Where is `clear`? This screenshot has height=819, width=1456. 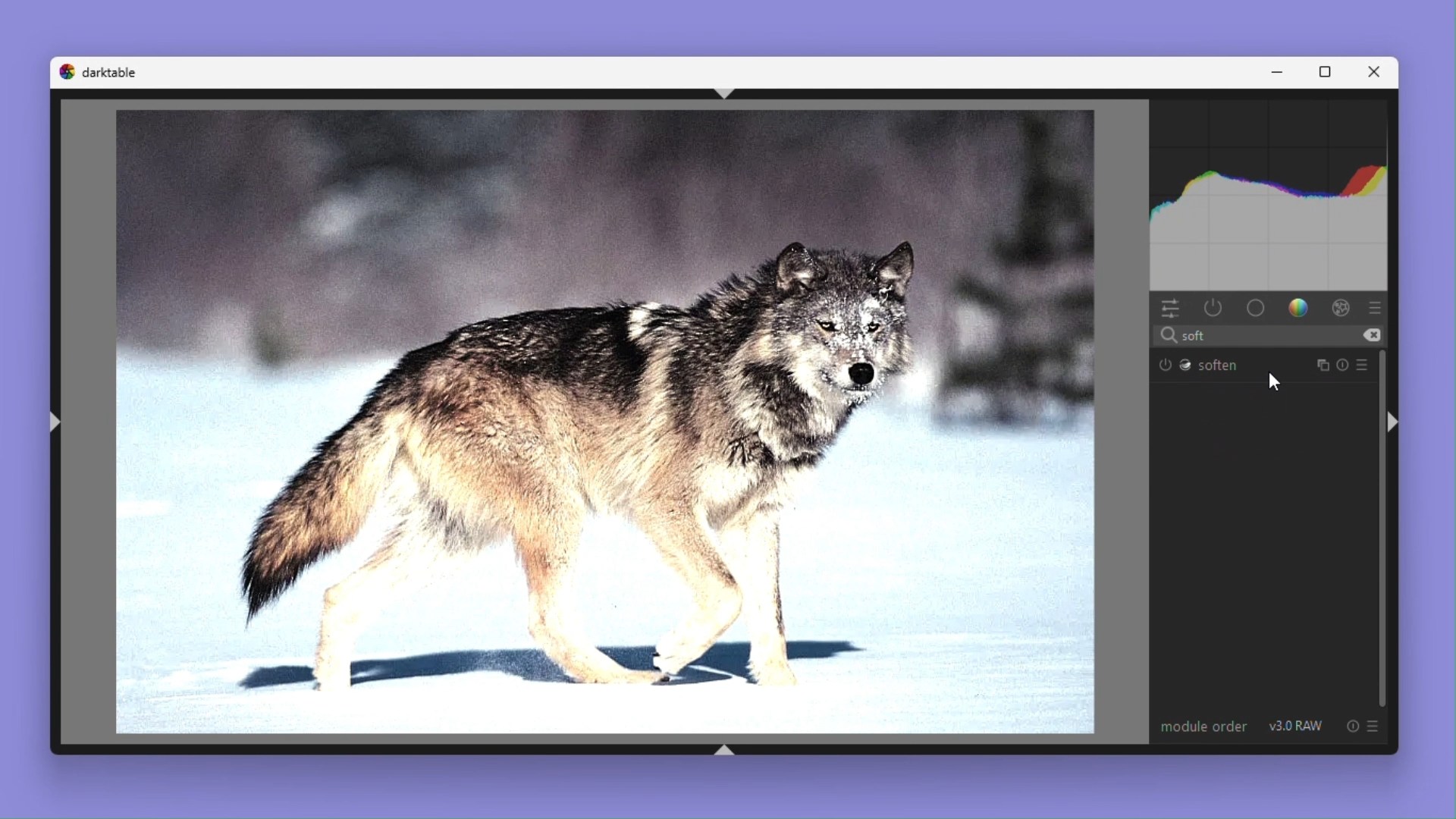
clear is located at coordinates (1372, 335).